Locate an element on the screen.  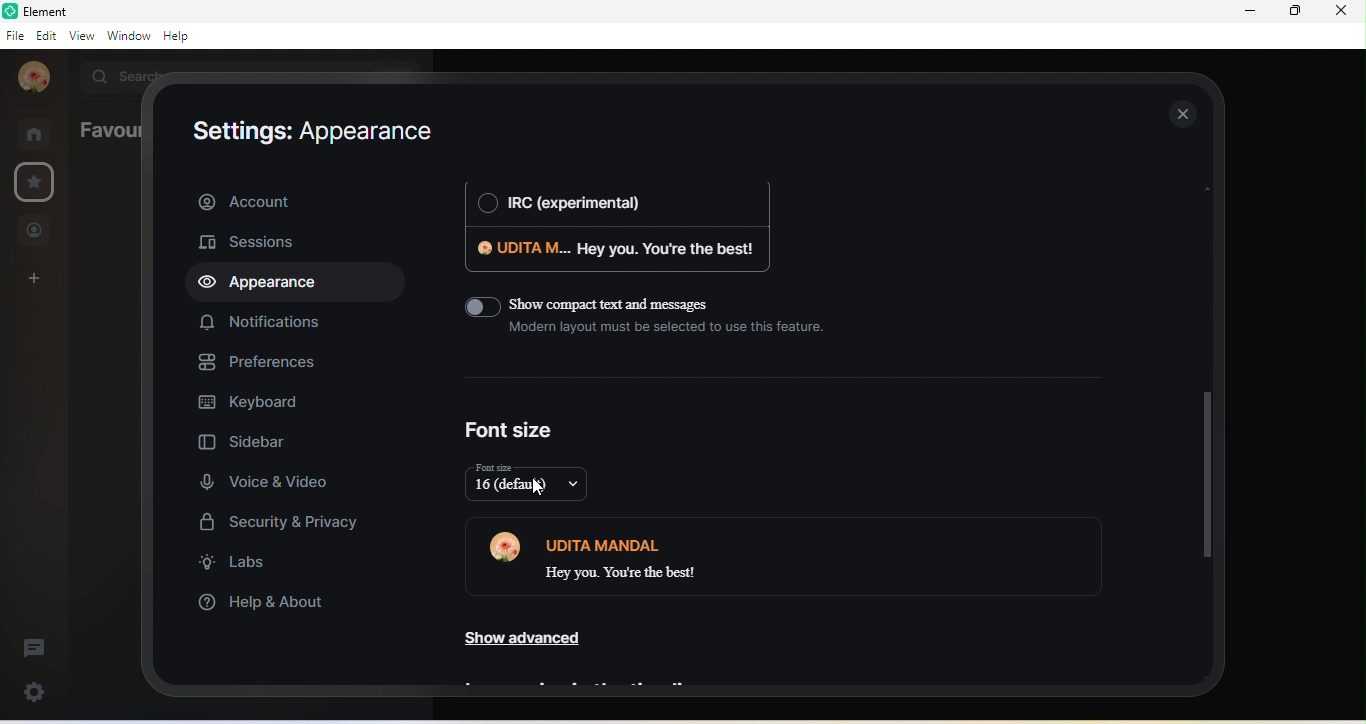
sidebar is located at coordinates (264, 439).